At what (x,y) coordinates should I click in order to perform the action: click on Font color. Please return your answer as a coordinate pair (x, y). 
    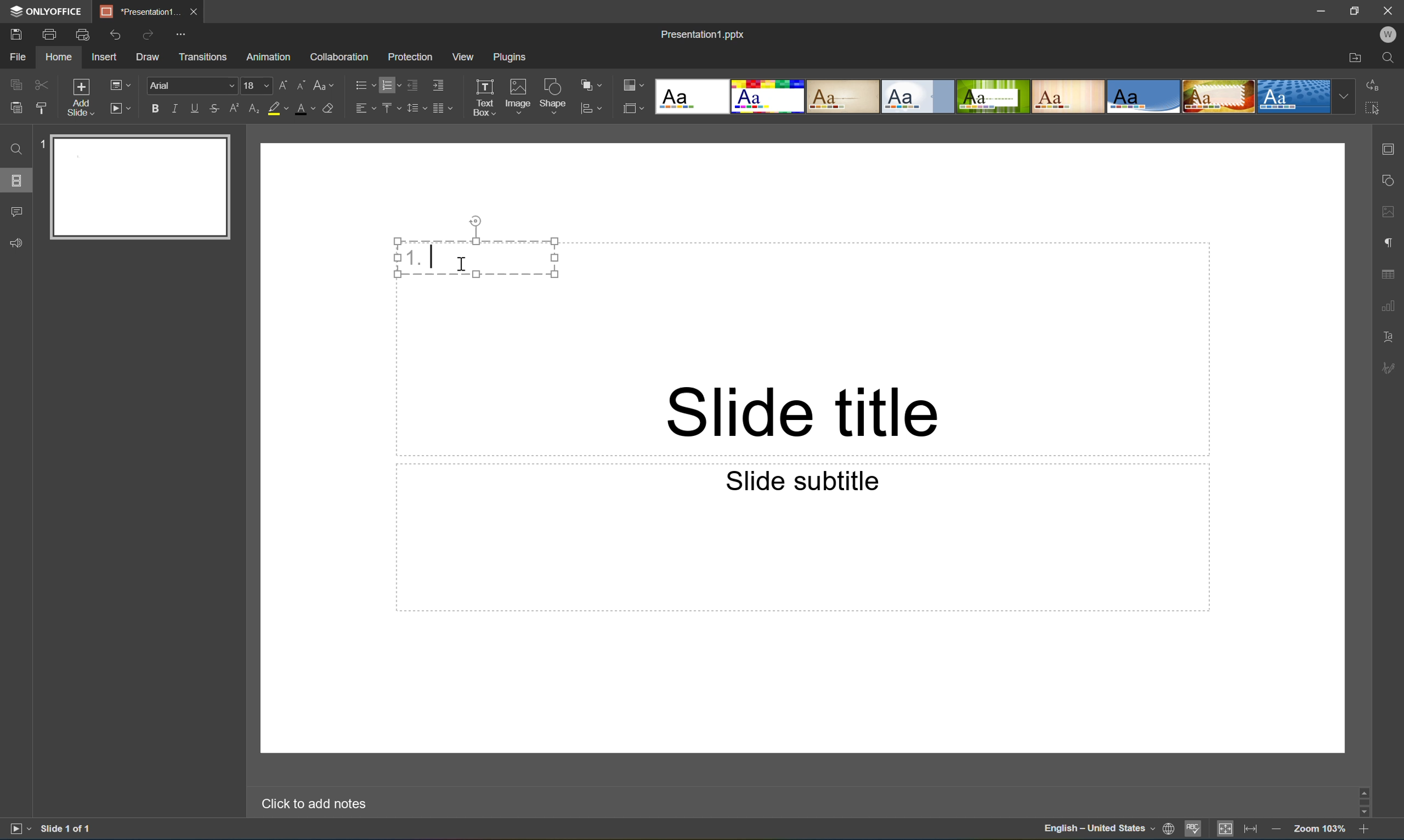
    Looking at the image, I should click on (304, 110).